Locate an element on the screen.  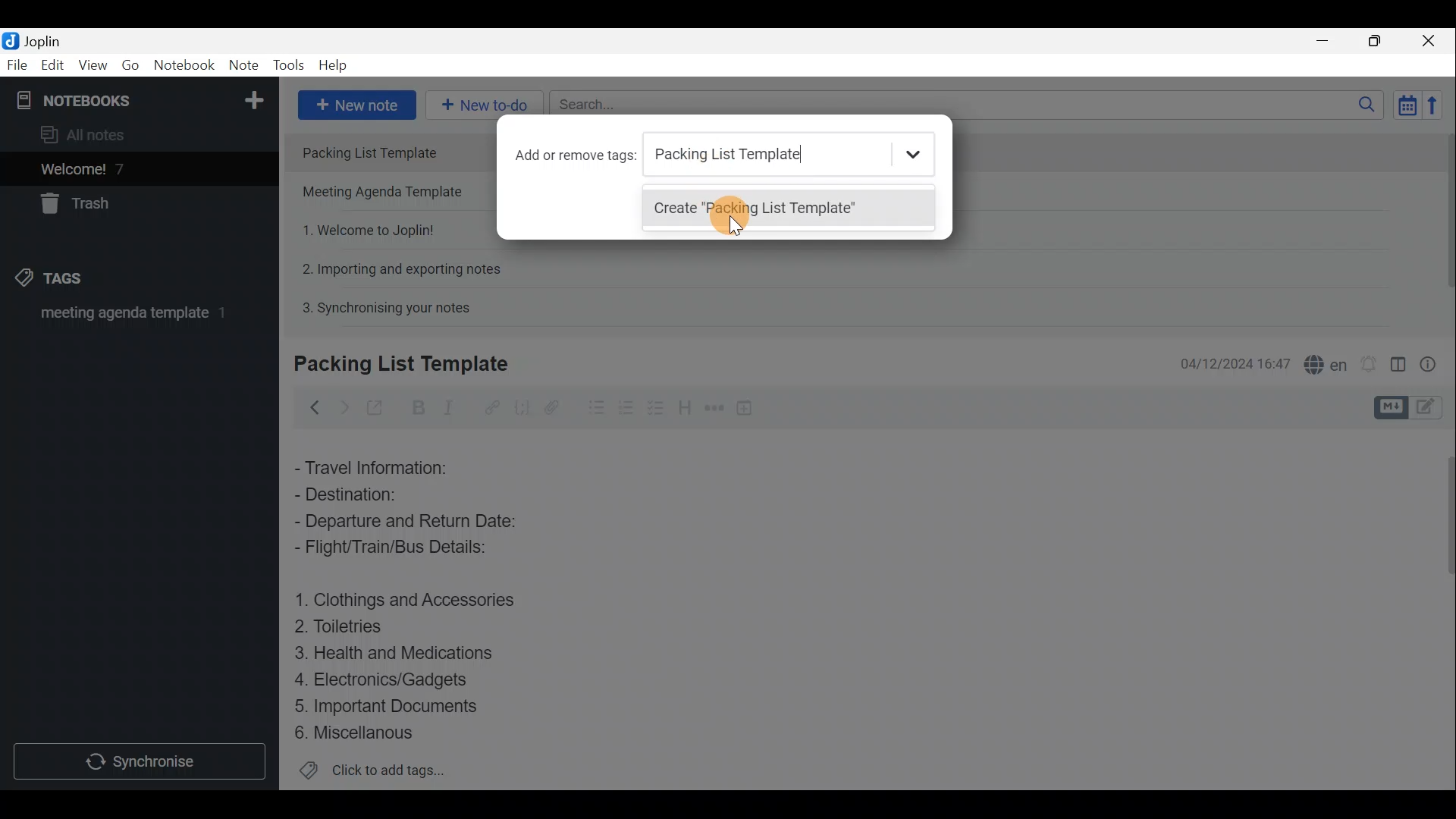
Back is located at coordinates (312, 407).